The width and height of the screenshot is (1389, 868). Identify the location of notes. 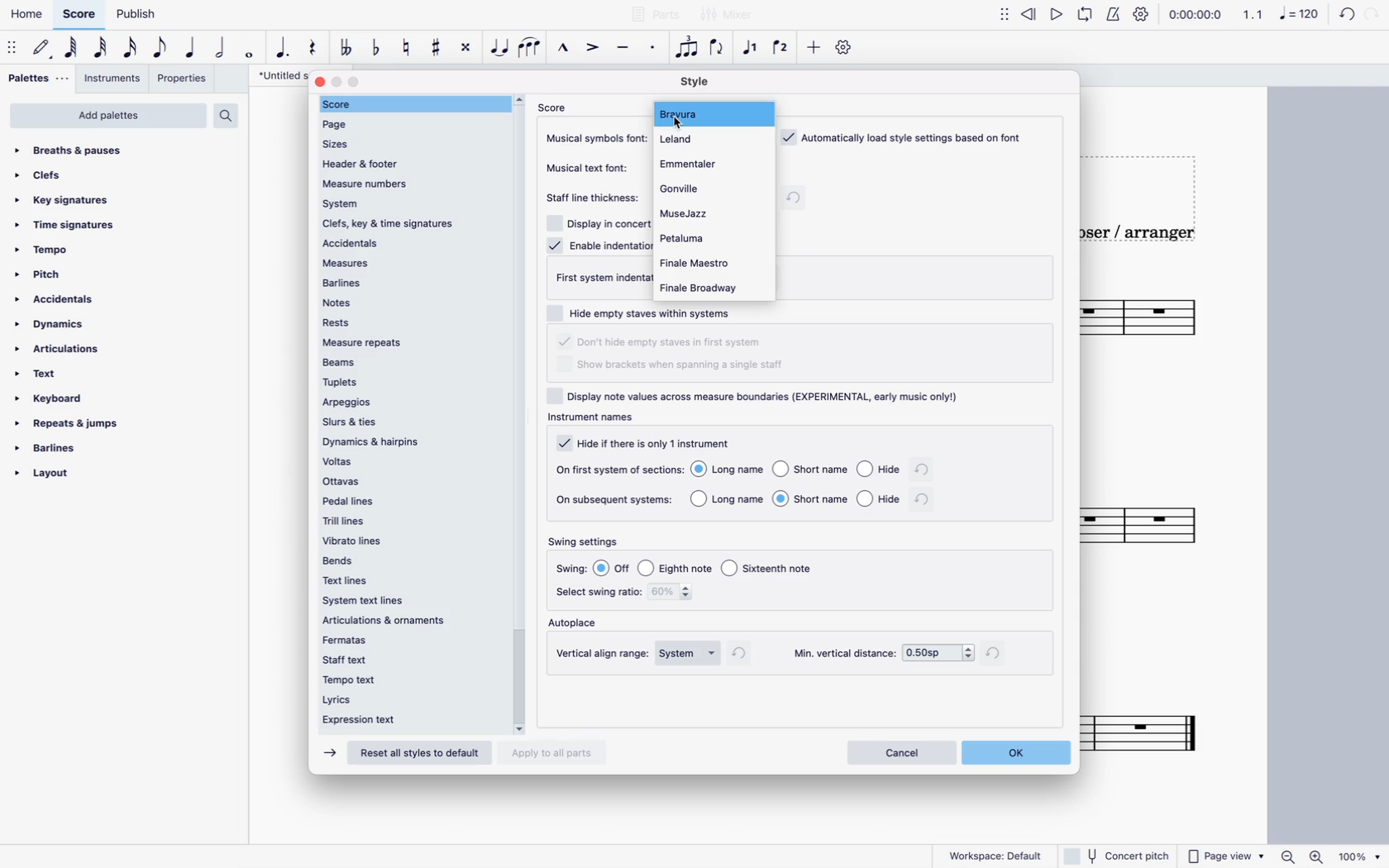
(408, 302).